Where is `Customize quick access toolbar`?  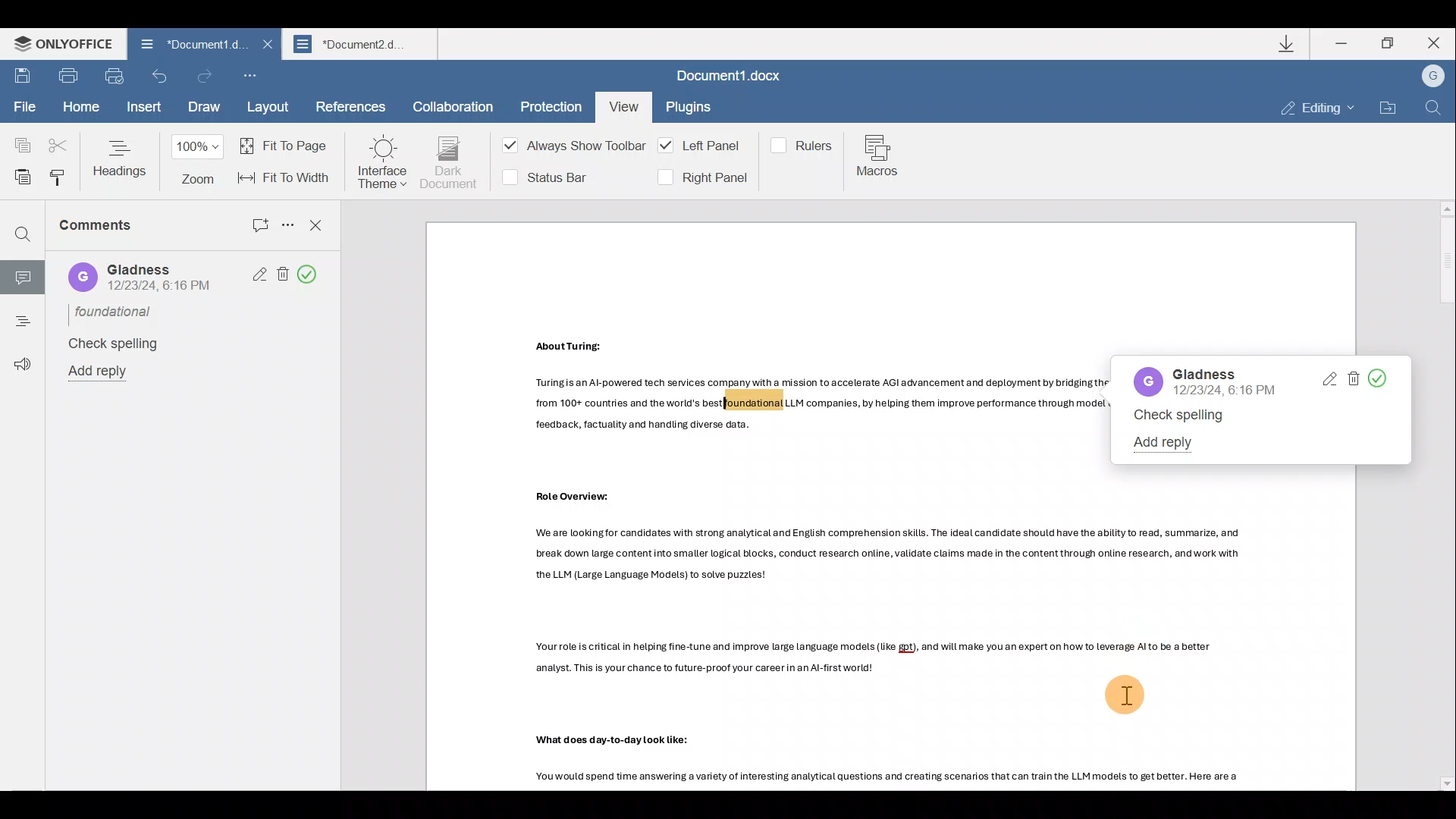 Customize quick access toolbar is located at coordinates (255, 77).